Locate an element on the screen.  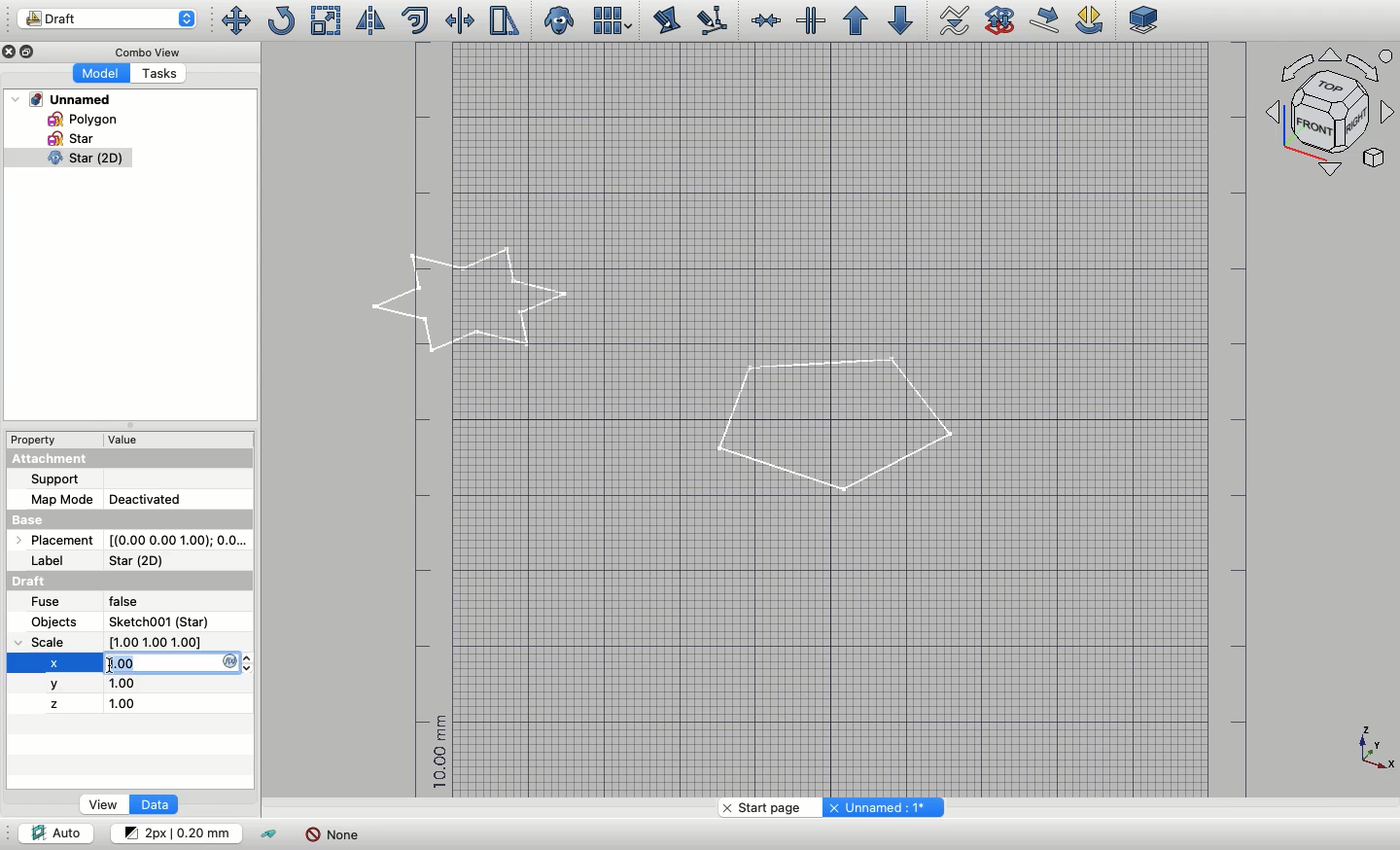
Edit is located at coordinates (667, 20).